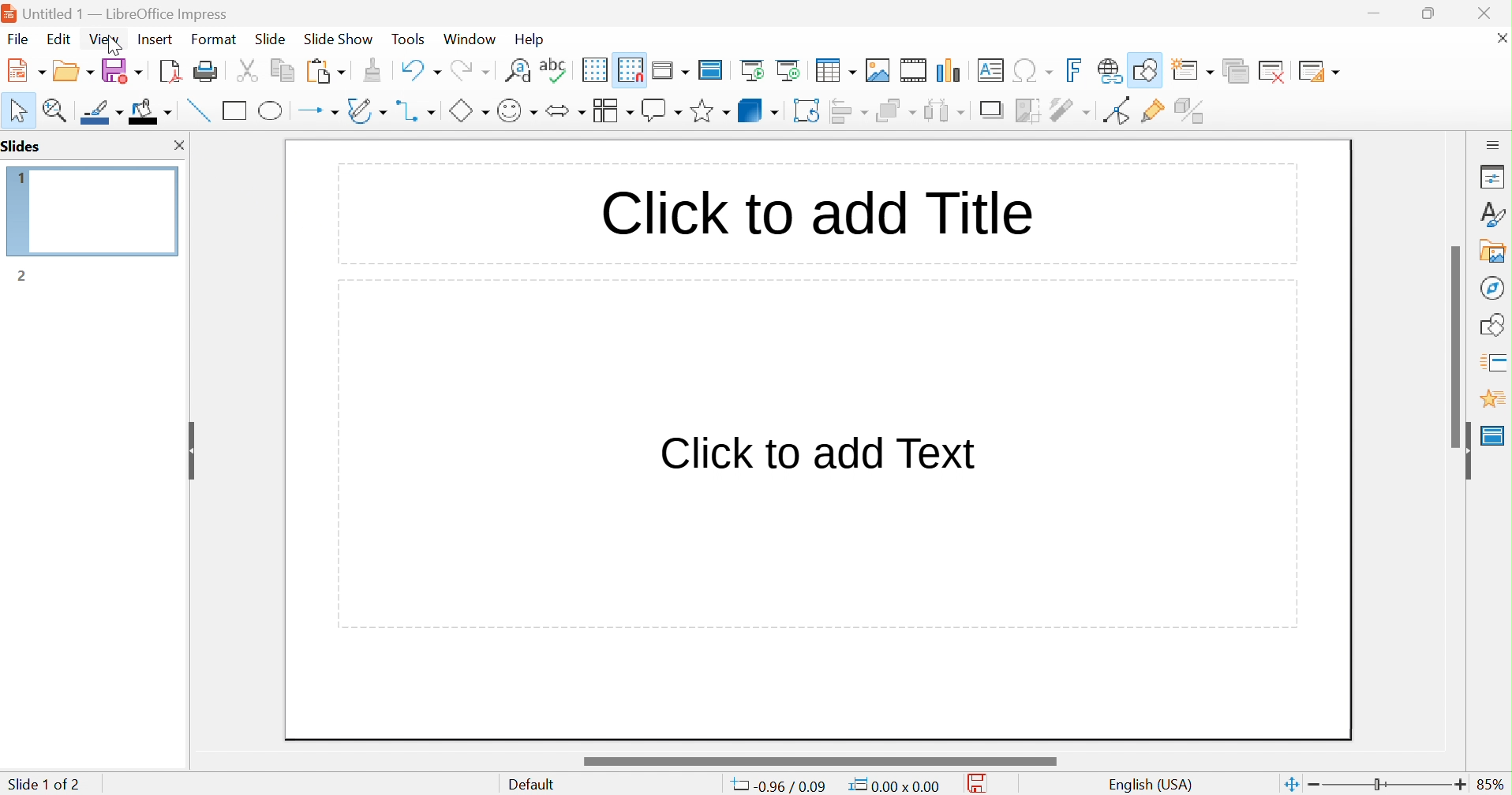 This screenshot has height=795, width=1512. I want to click on gallery, so click(1496, 251).